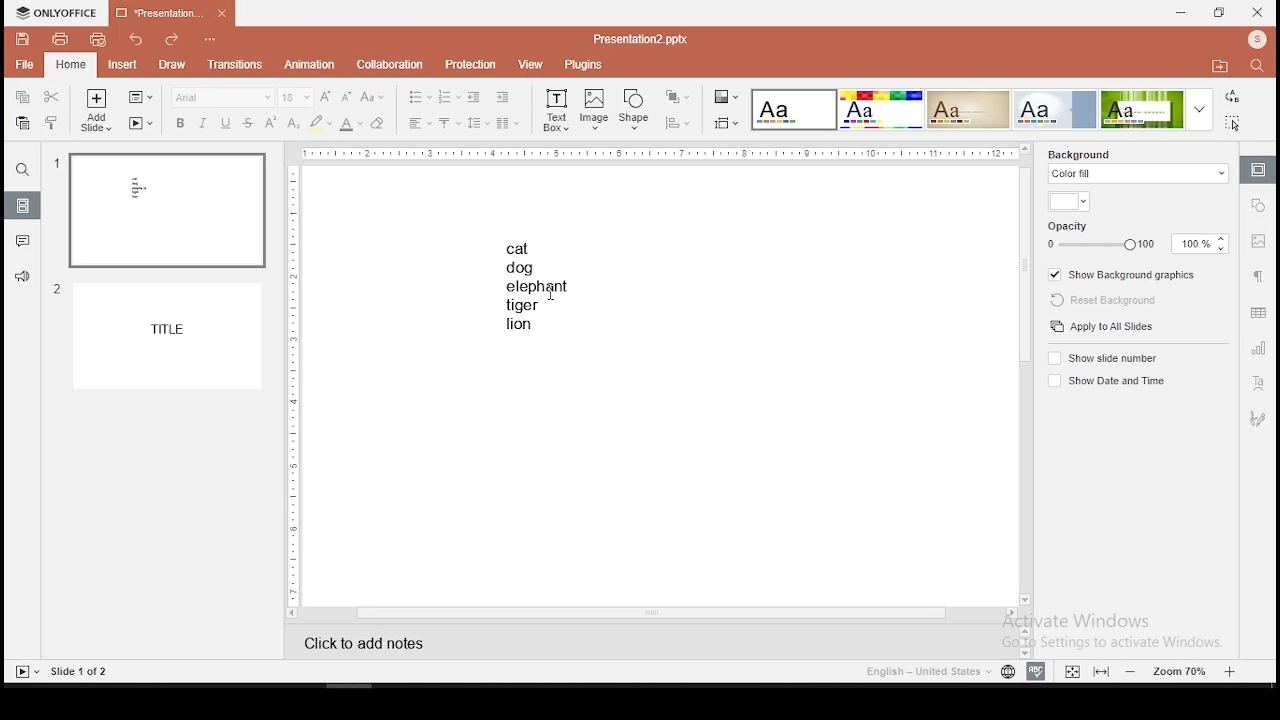 The image size is (1280, 720). Describe the element at coordinates (226, 122) in the screenshot. I see `underline` at that location.